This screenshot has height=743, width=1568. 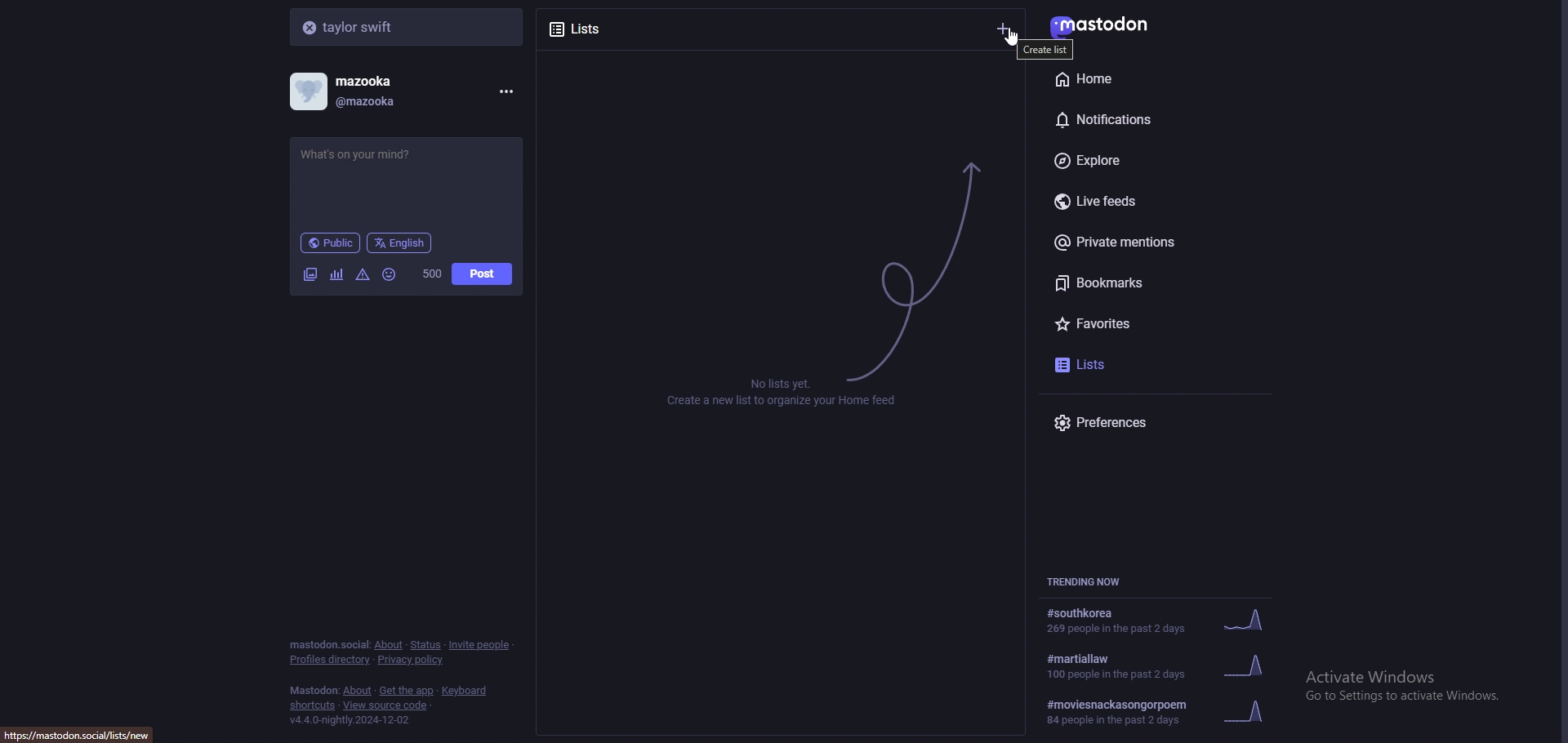 I want to click on trending, so click(x=1157, y=621).